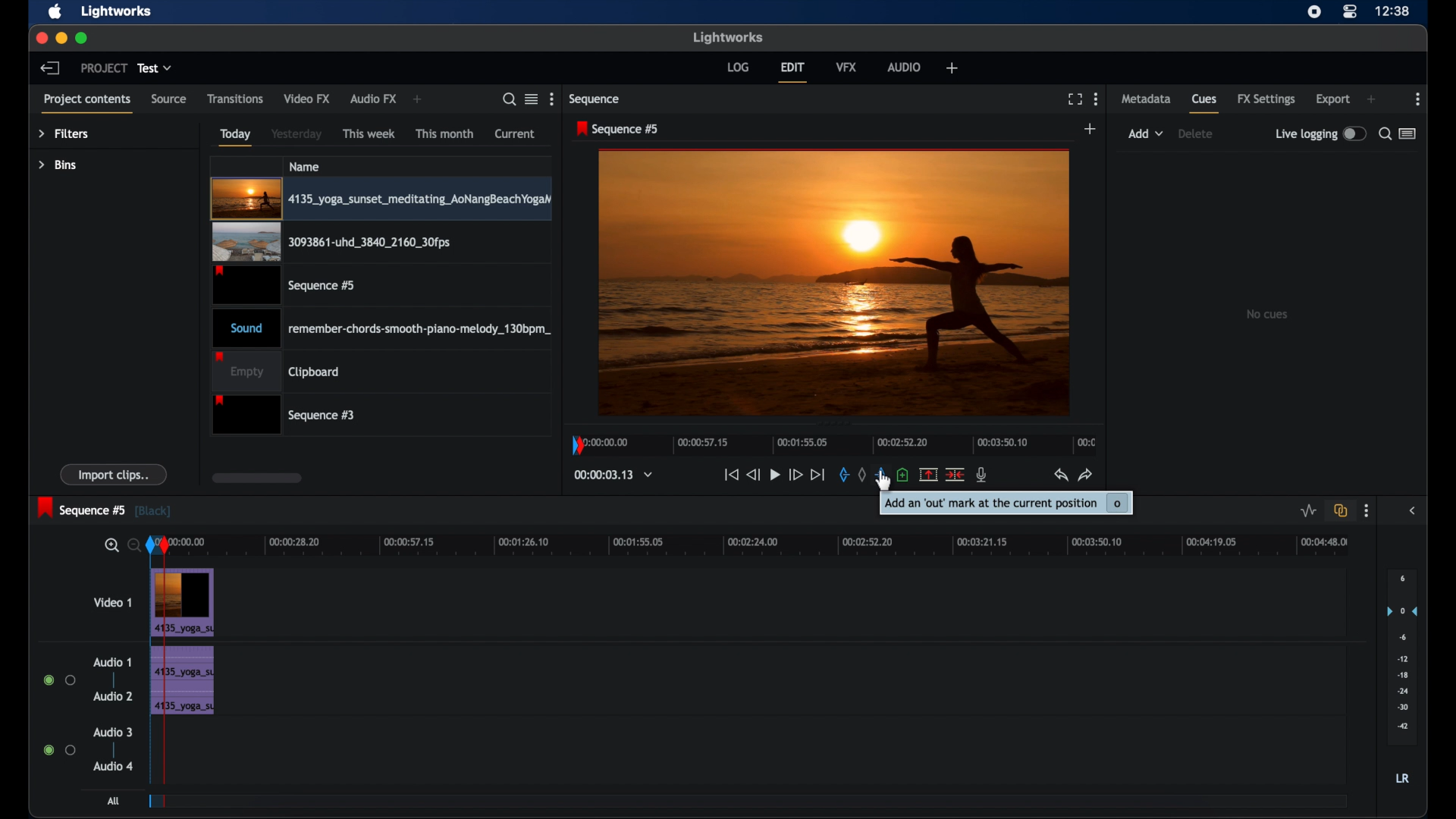 Image resolution: width=1456 pixels, height=819 pixels. What do you see at coordinates (155, 67) in the screenshot?
I see `test dropdown` at bounding box center [155, 67].